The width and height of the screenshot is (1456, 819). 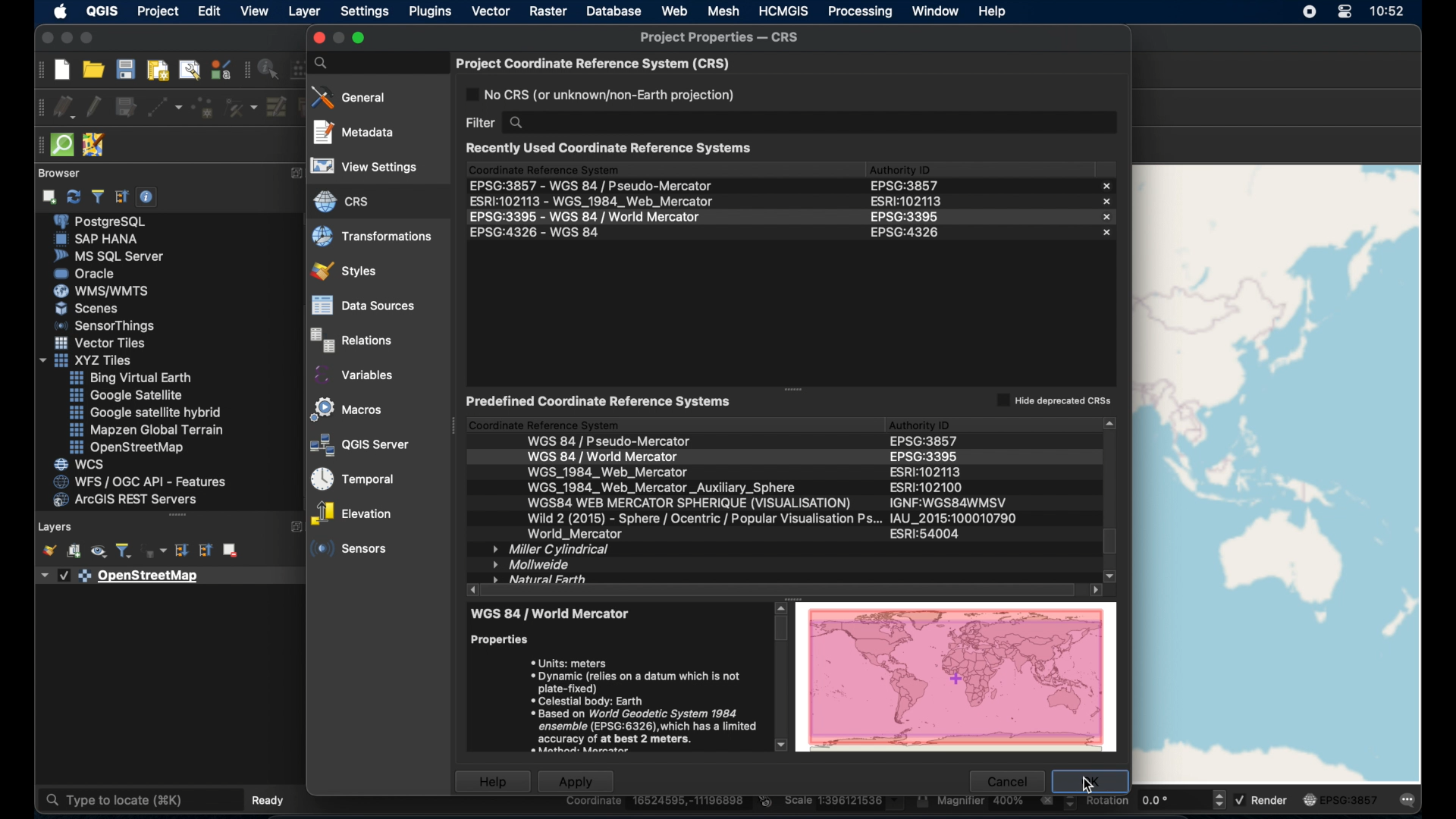 I want to click on project toolbar, so click(x=38, y=70).